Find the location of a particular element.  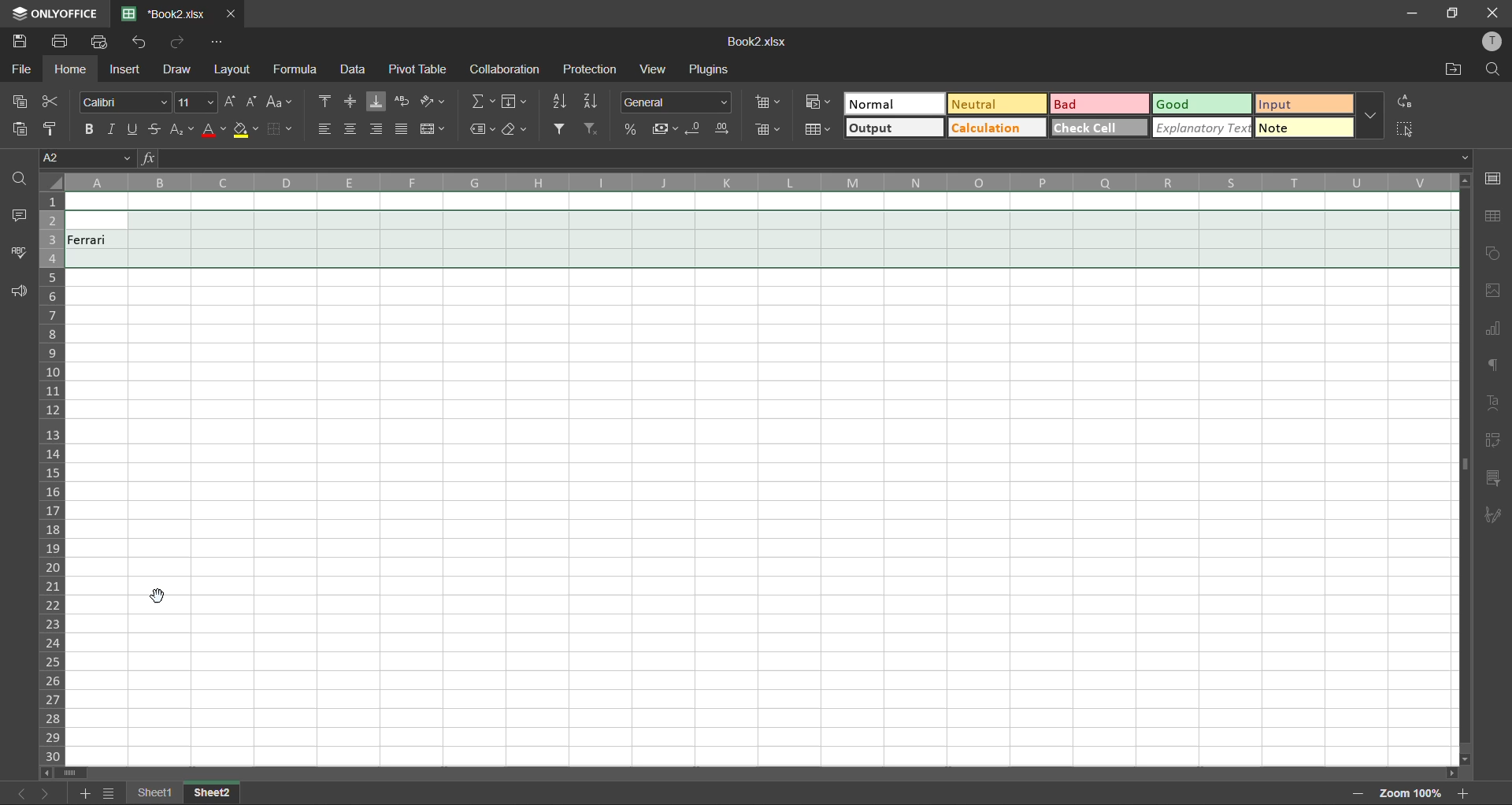

maximize is located at coordinates (1453, 14).